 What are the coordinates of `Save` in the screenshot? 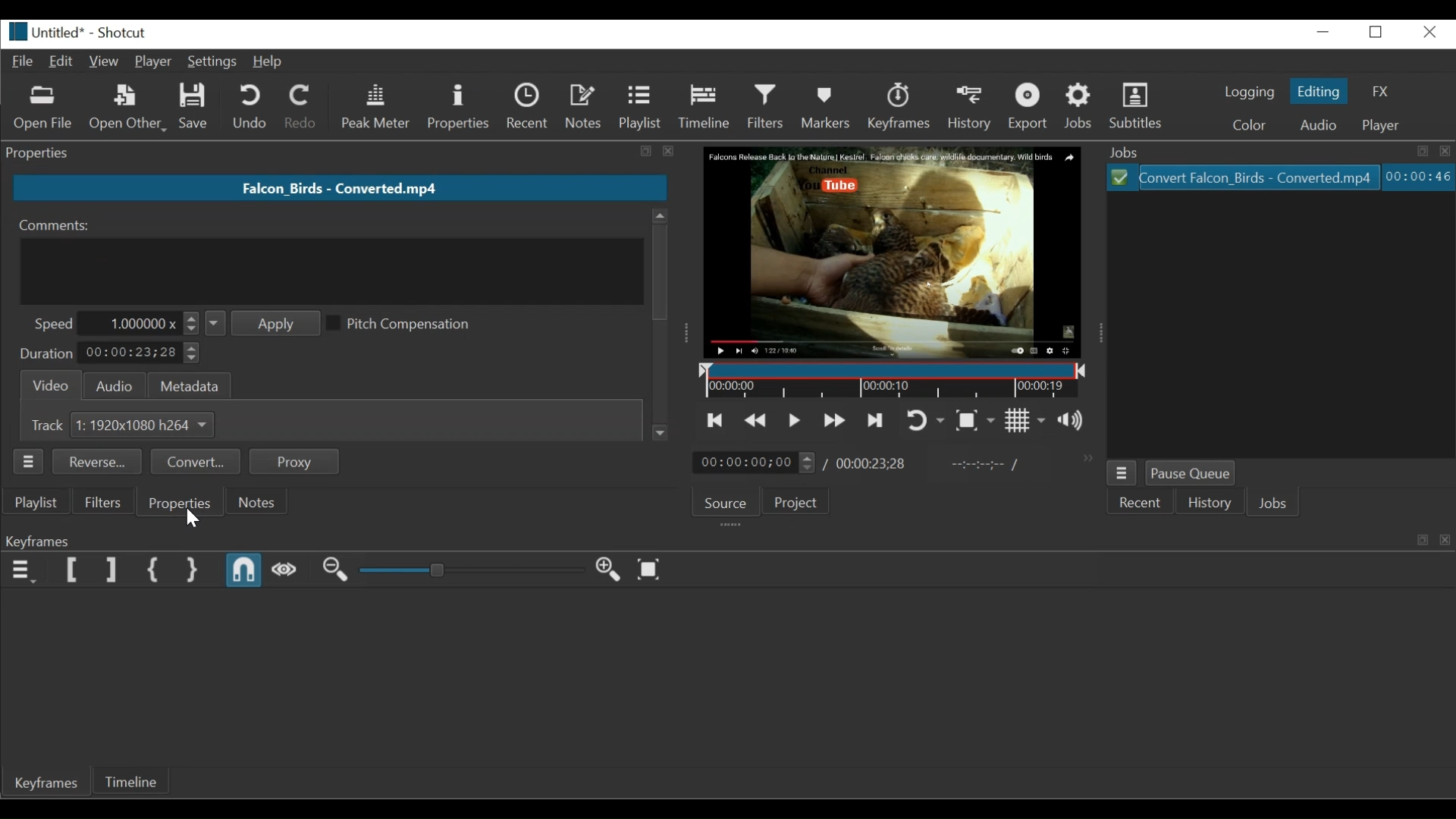 It's located at (195, 108).